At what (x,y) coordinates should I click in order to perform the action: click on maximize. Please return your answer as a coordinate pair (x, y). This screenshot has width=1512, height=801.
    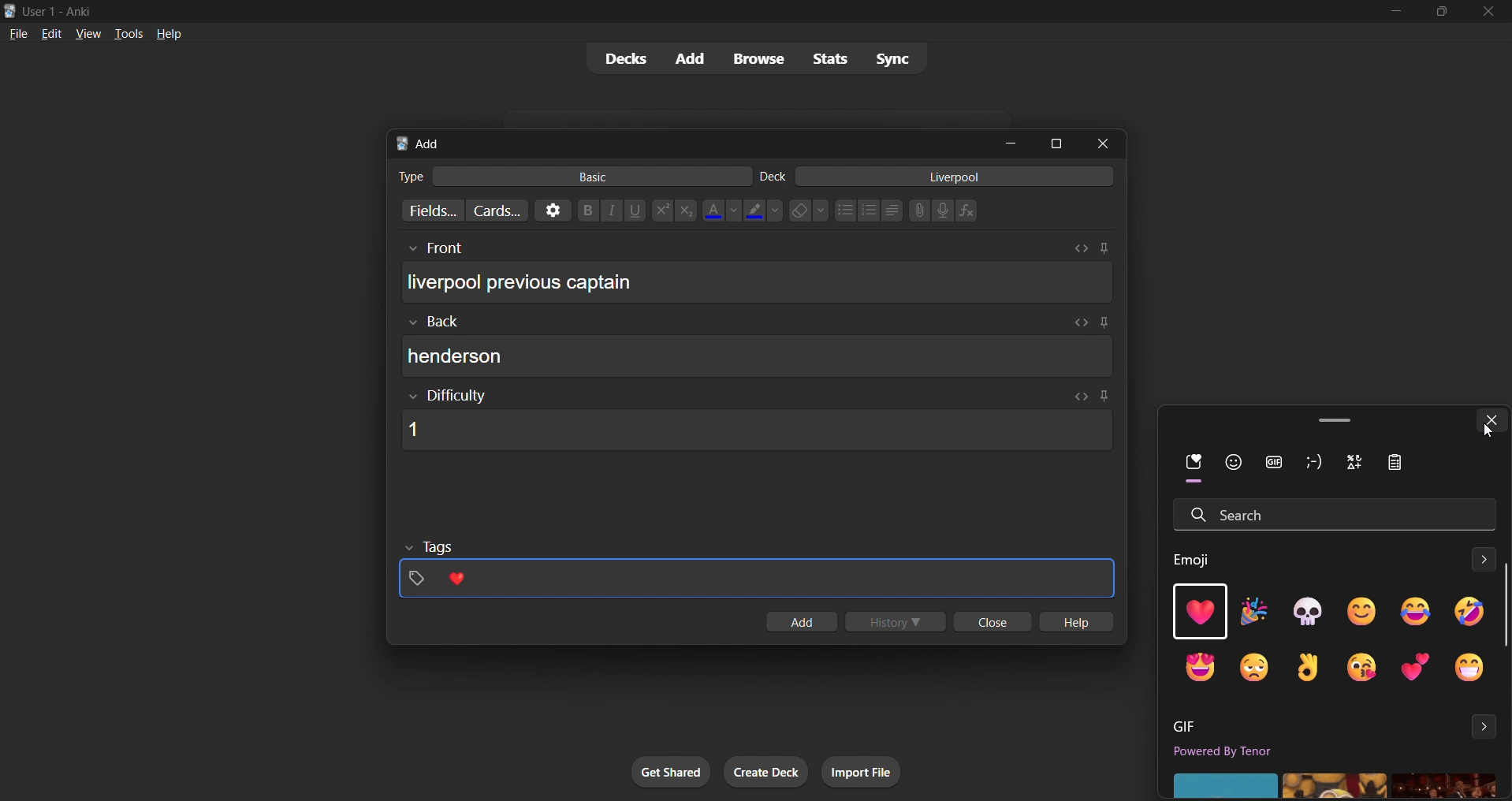
    Looking at the image, I should click on (1057, 142).